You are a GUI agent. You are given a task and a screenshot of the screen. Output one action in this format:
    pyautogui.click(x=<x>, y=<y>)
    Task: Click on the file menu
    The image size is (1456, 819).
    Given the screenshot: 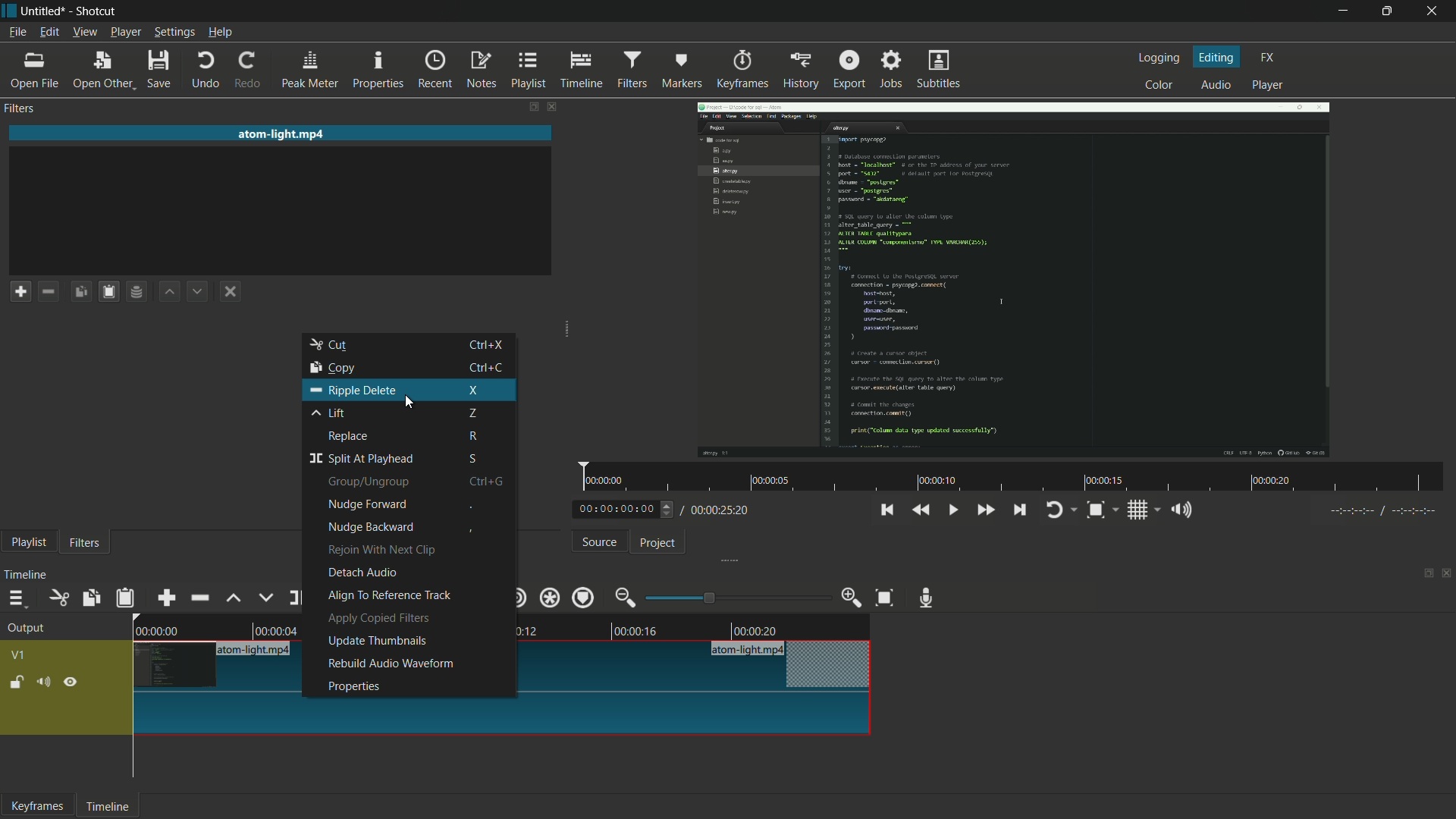 What is the action you would take?
    pyautogui.click(x=17, y=33)
    